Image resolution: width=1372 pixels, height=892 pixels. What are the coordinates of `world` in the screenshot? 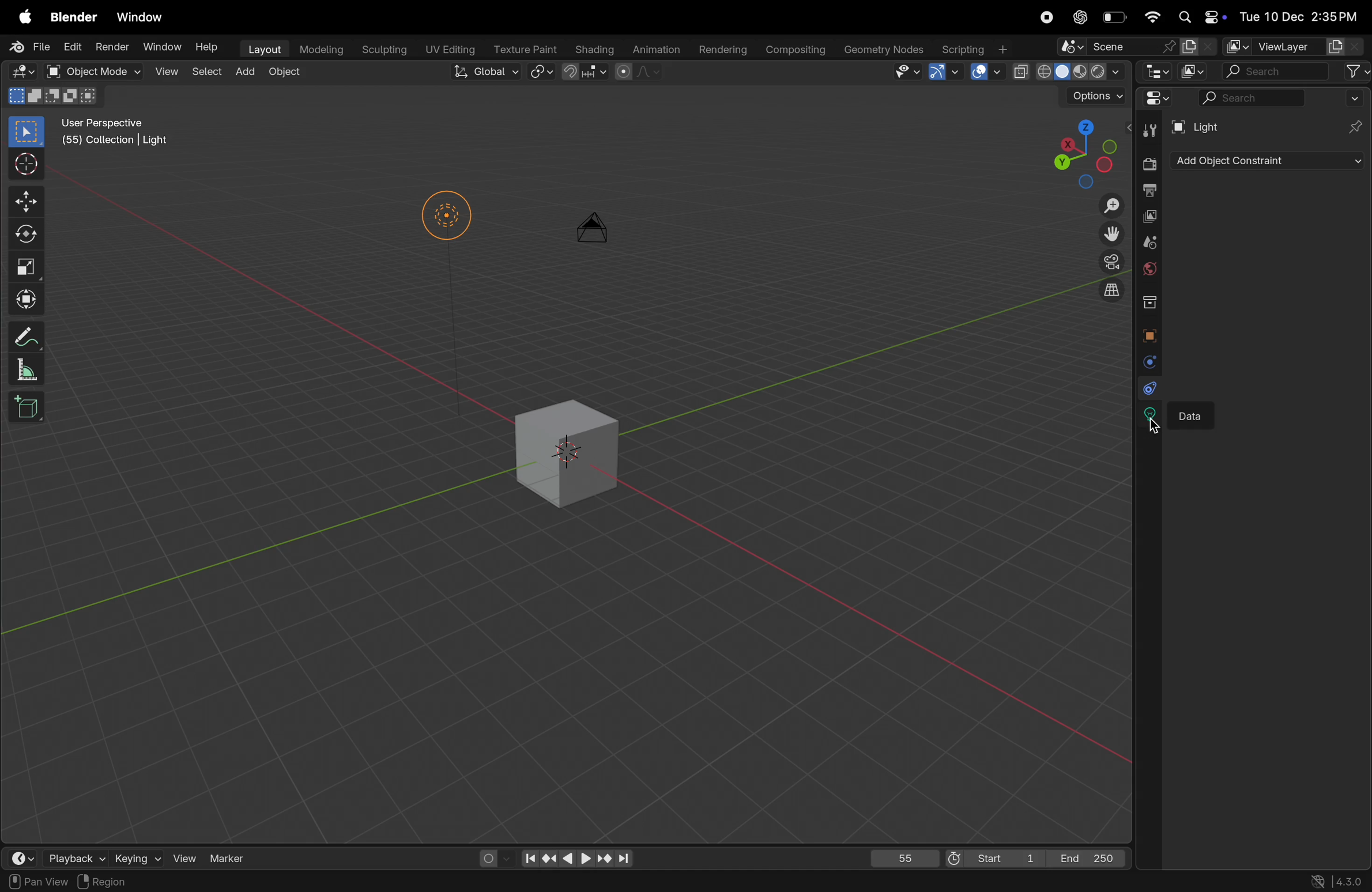 It's located at (1150, 270).